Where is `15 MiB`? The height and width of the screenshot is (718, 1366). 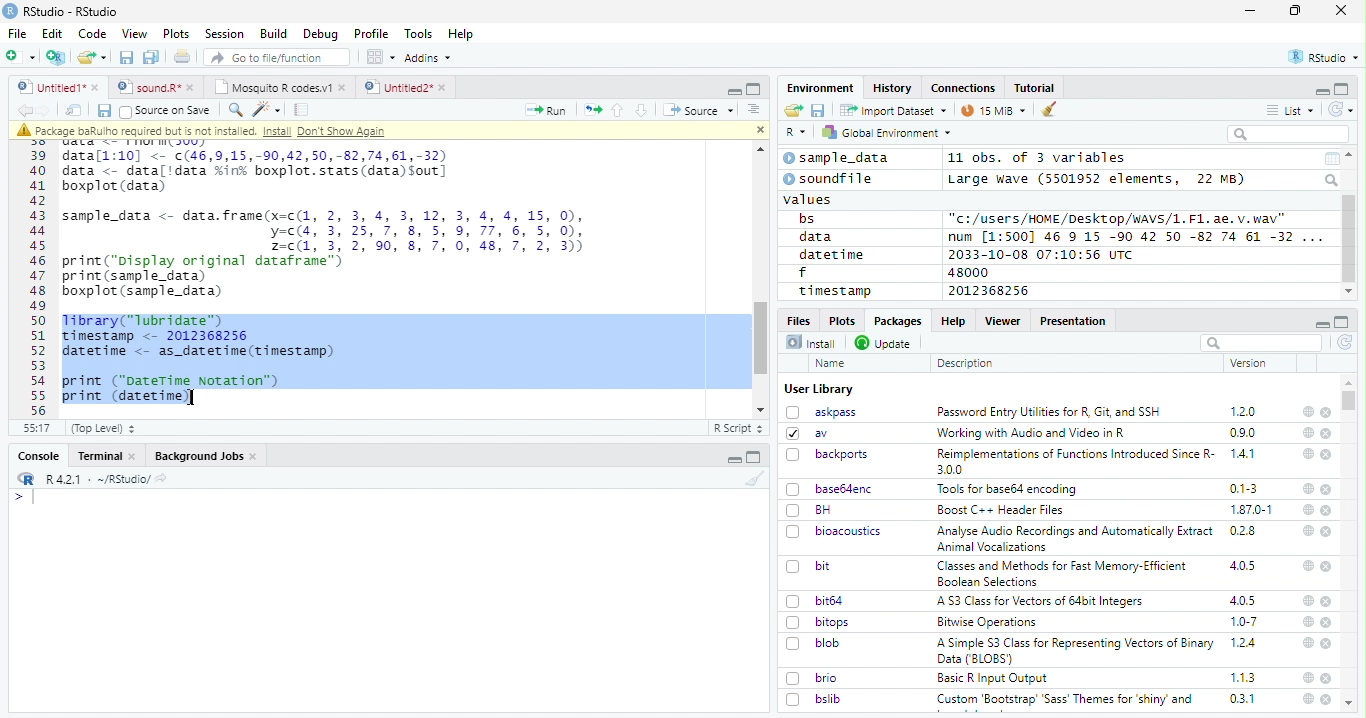
15 MiB is located at coordinates (994, 110).